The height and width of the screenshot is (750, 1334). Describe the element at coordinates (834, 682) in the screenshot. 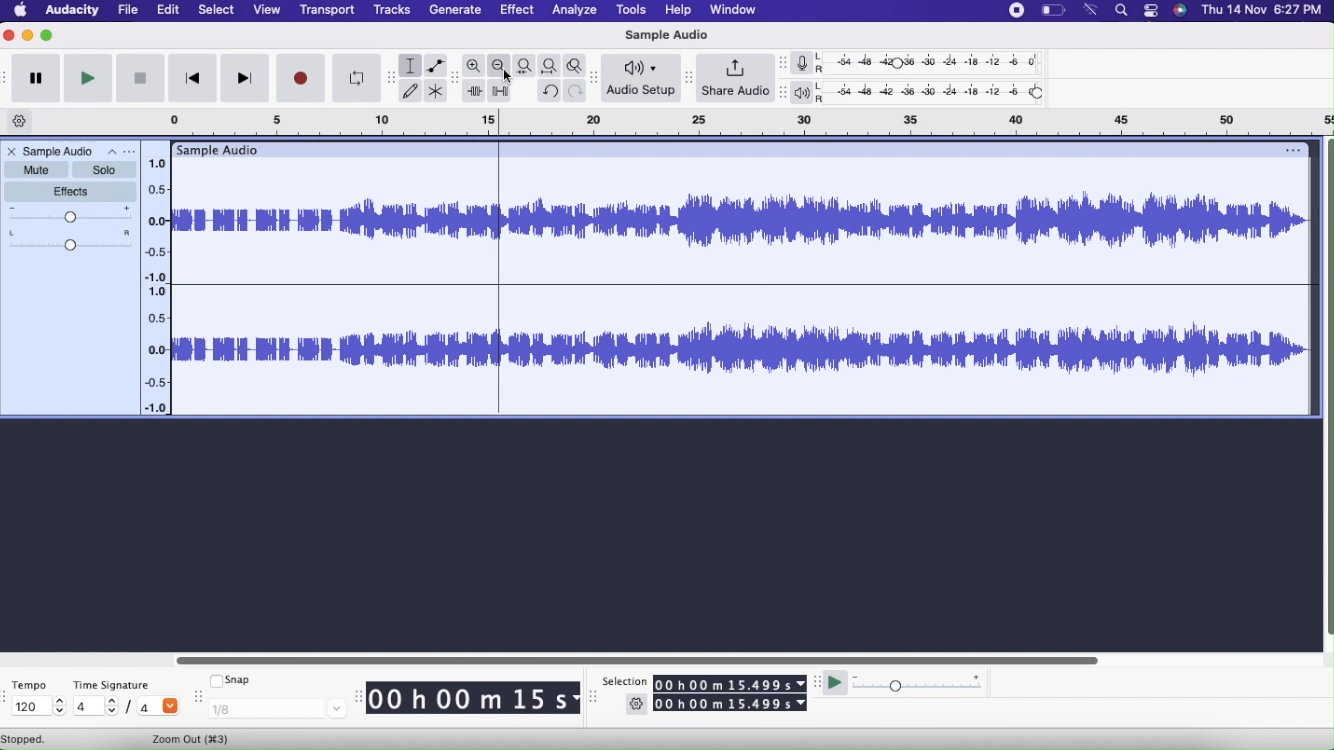

I see `Play at speed` at that location.